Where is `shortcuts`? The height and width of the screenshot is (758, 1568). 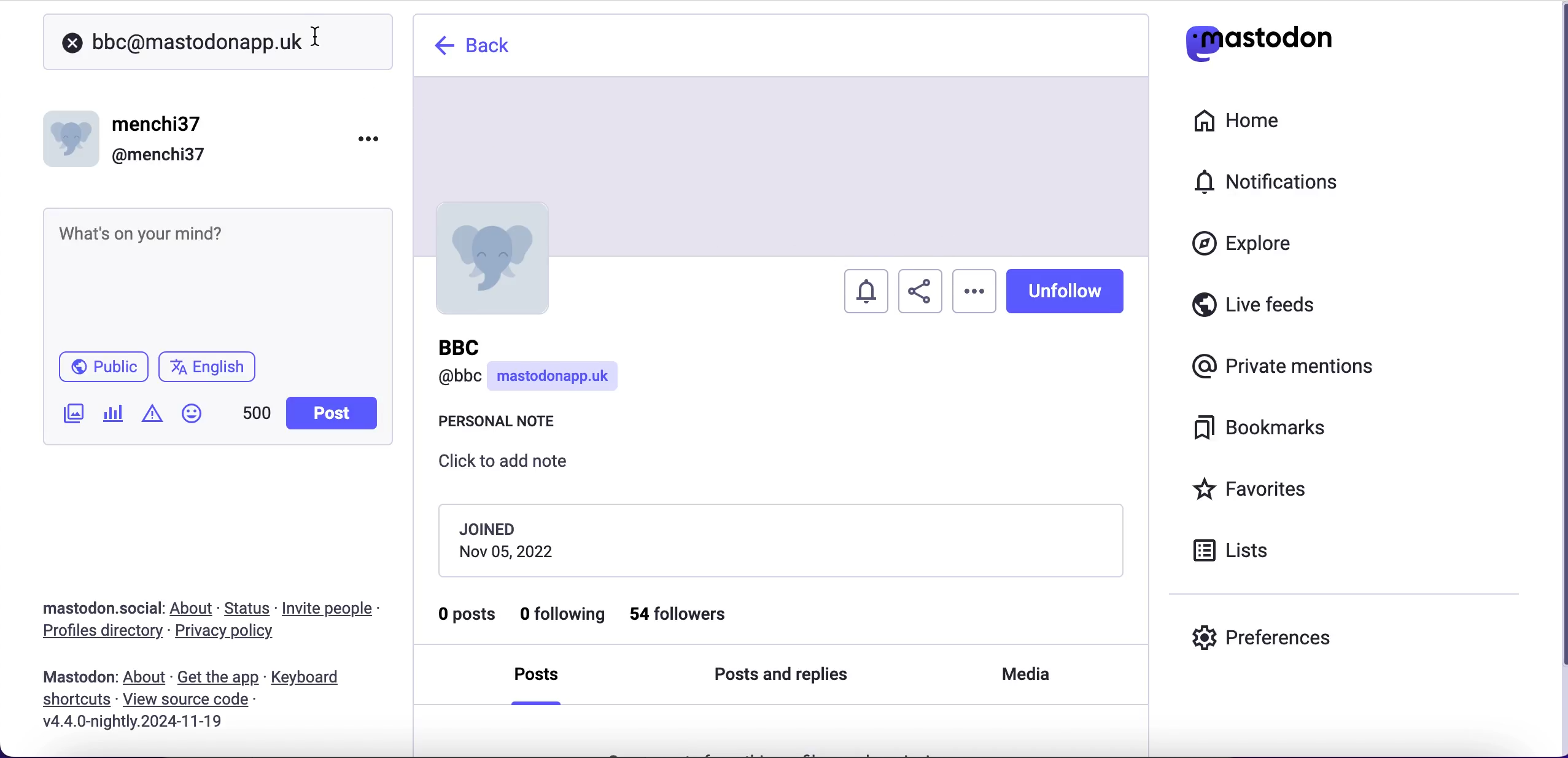
shortcuts is located at coordinates (72, 700).